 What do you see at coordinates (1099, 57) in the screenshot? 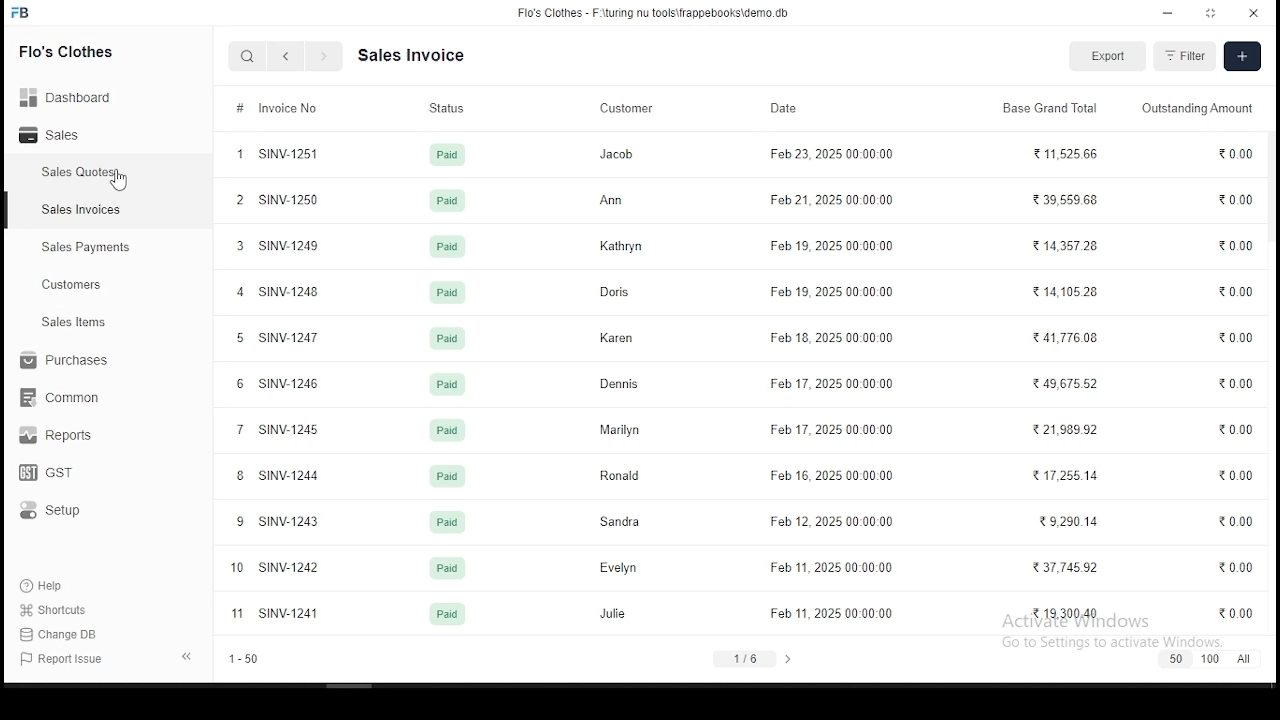
I see `export` at bounding box center [1099, 57].